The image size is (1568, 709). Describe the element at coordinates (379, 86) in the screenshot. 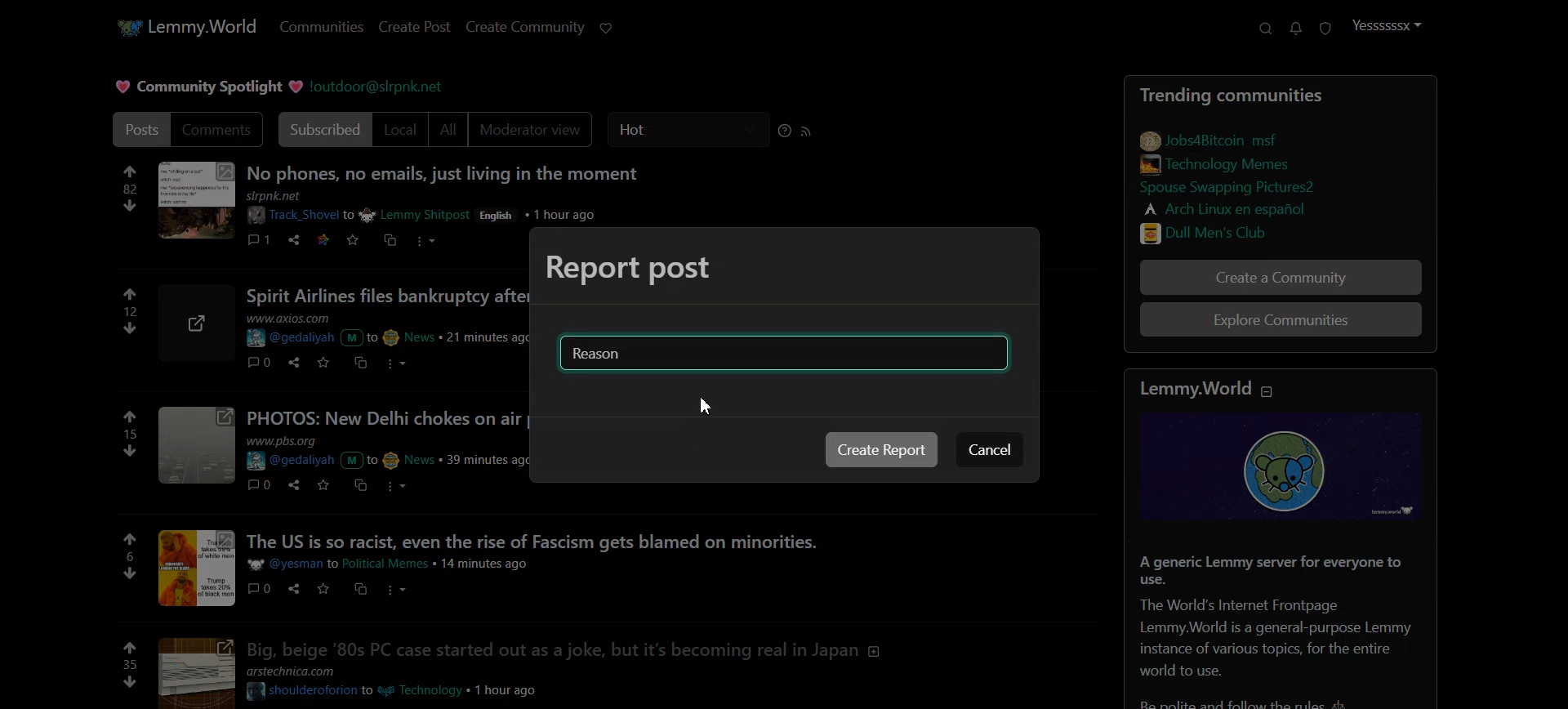

I see `Hyperlink` at that location.